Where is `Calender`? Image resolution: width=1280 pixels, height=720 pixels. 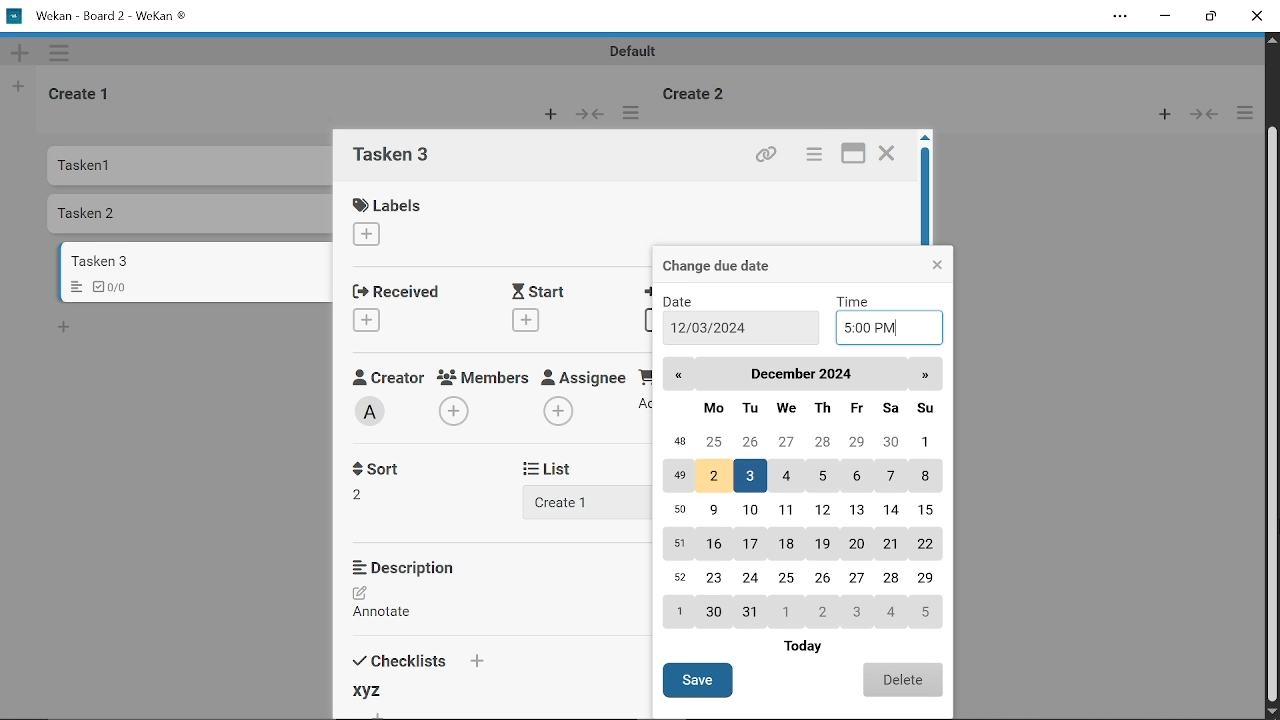
Calender is located at coordinates (800, 512).